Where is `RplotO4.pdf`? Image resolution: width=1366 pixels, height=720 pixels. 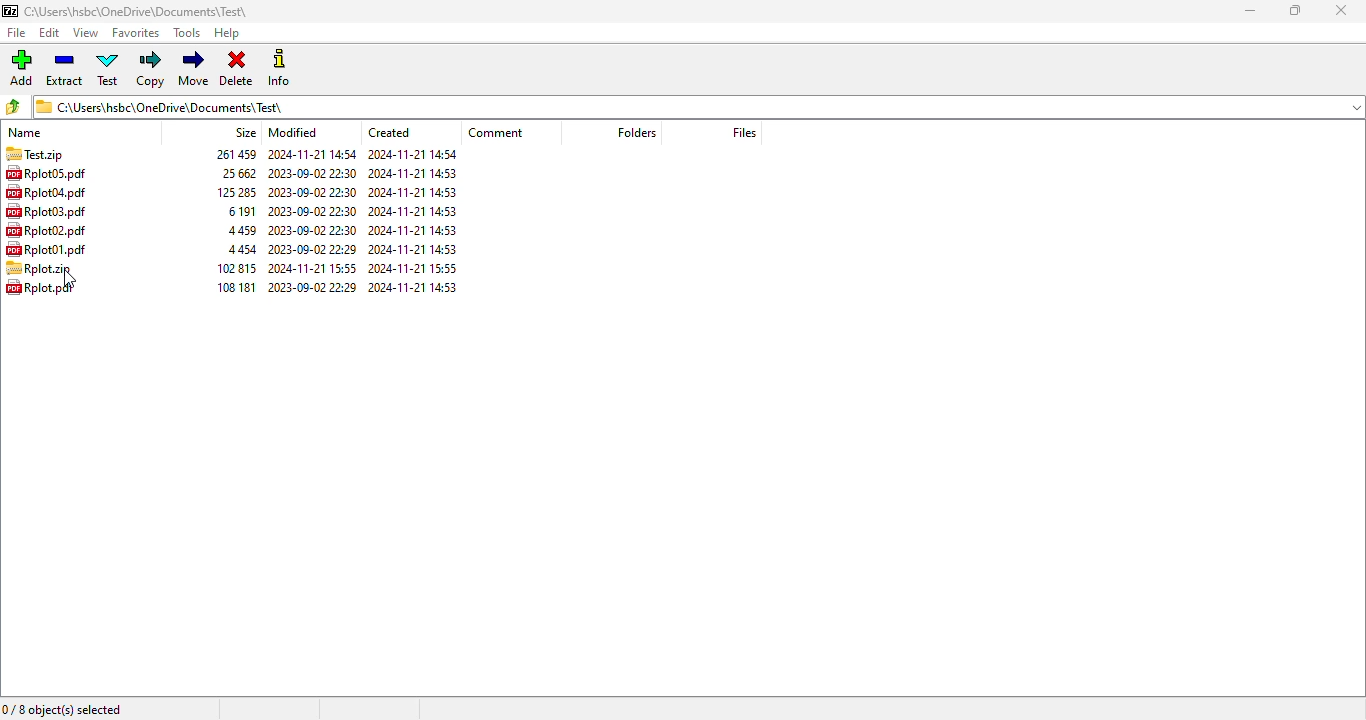 RplotO4.pdf is located at coordinates (51, 192).